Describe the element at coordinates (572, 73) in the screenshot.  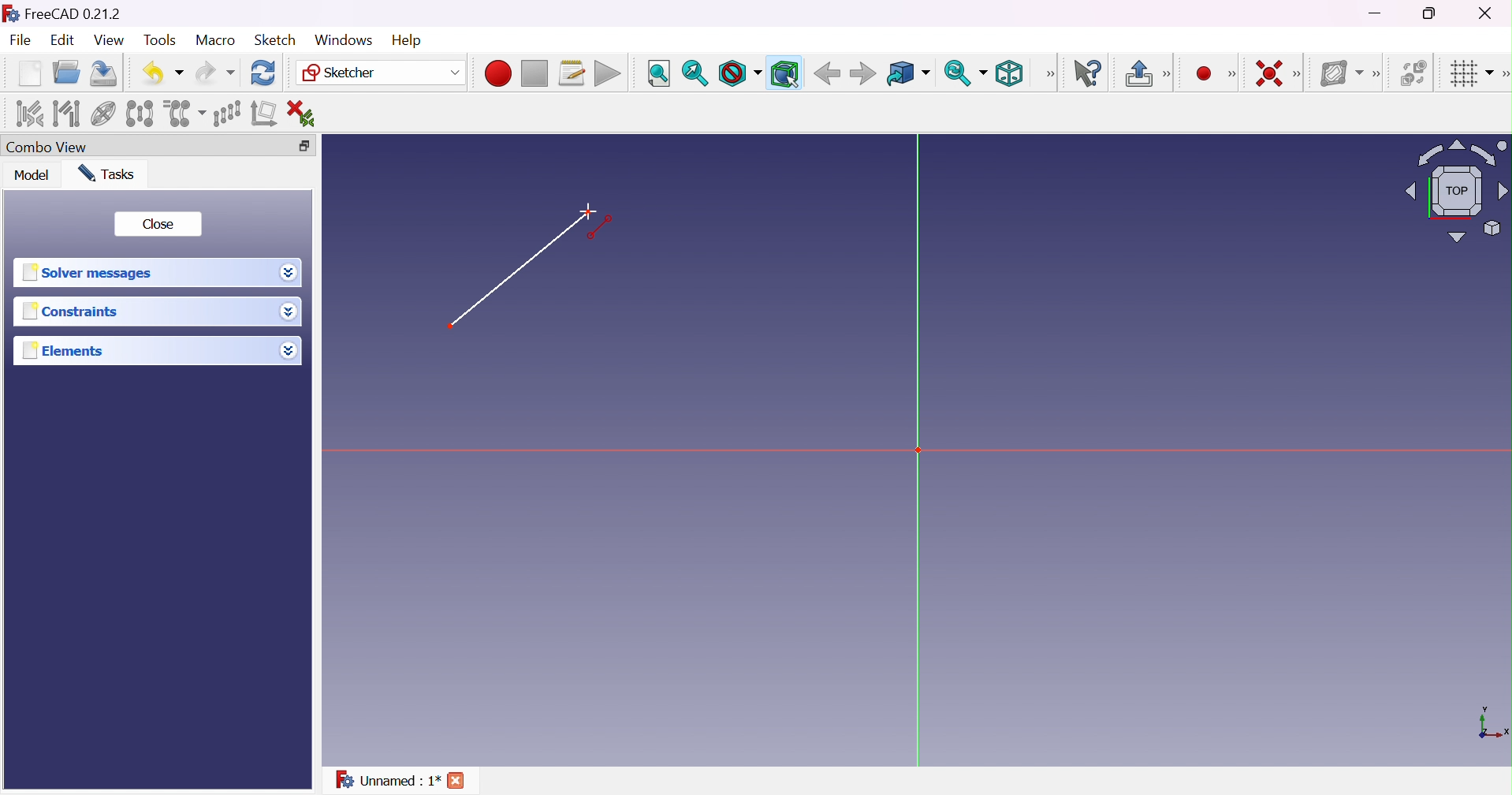
I see `Macros...` at that location.